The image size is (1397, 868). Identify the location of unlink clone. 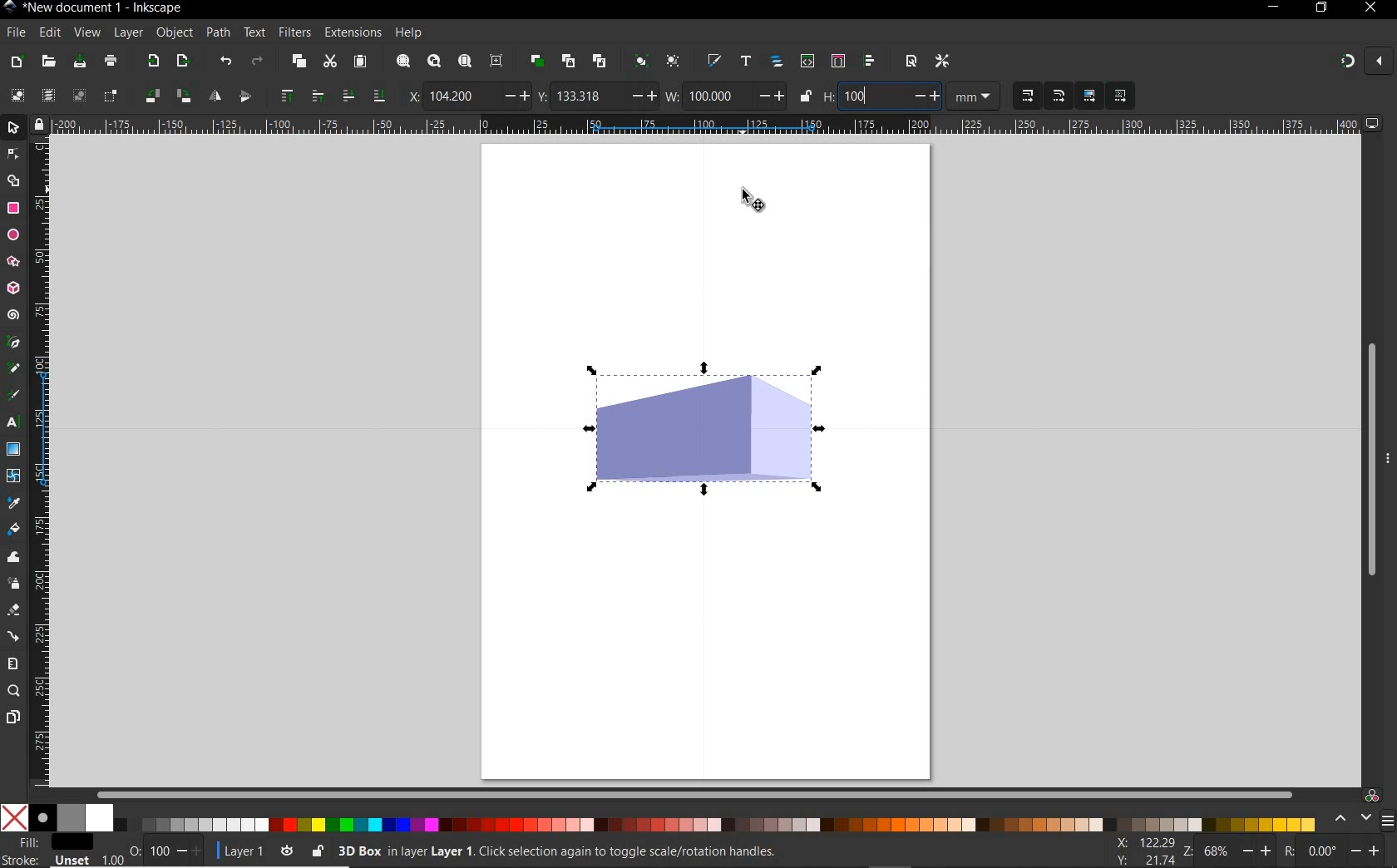
(598, 61).